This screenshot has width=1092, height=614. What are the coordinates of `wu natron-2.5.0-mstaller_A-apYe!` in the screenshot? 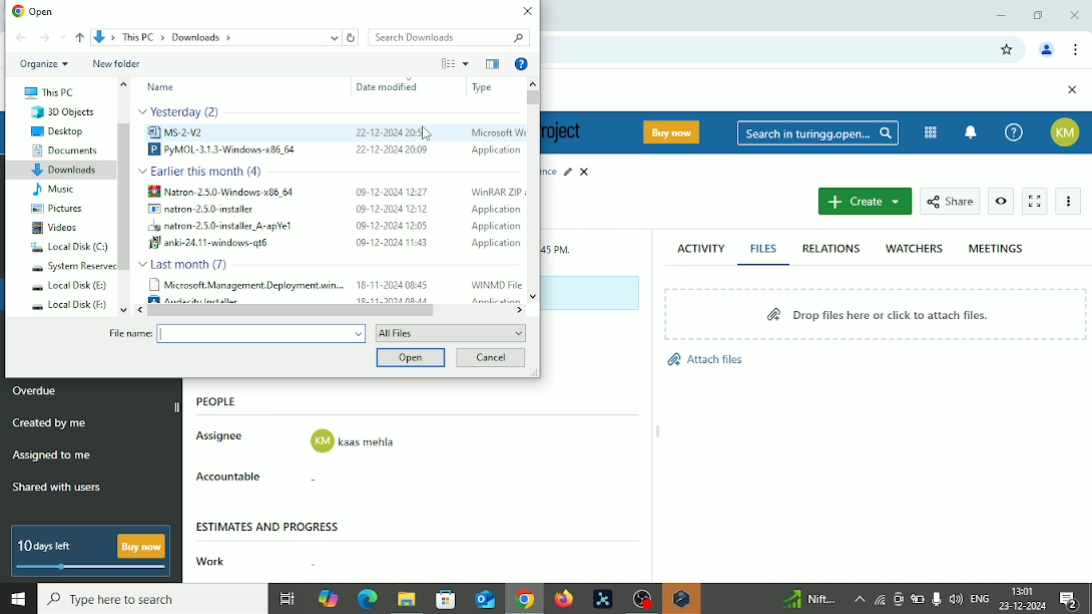 It's located at (225, 227).